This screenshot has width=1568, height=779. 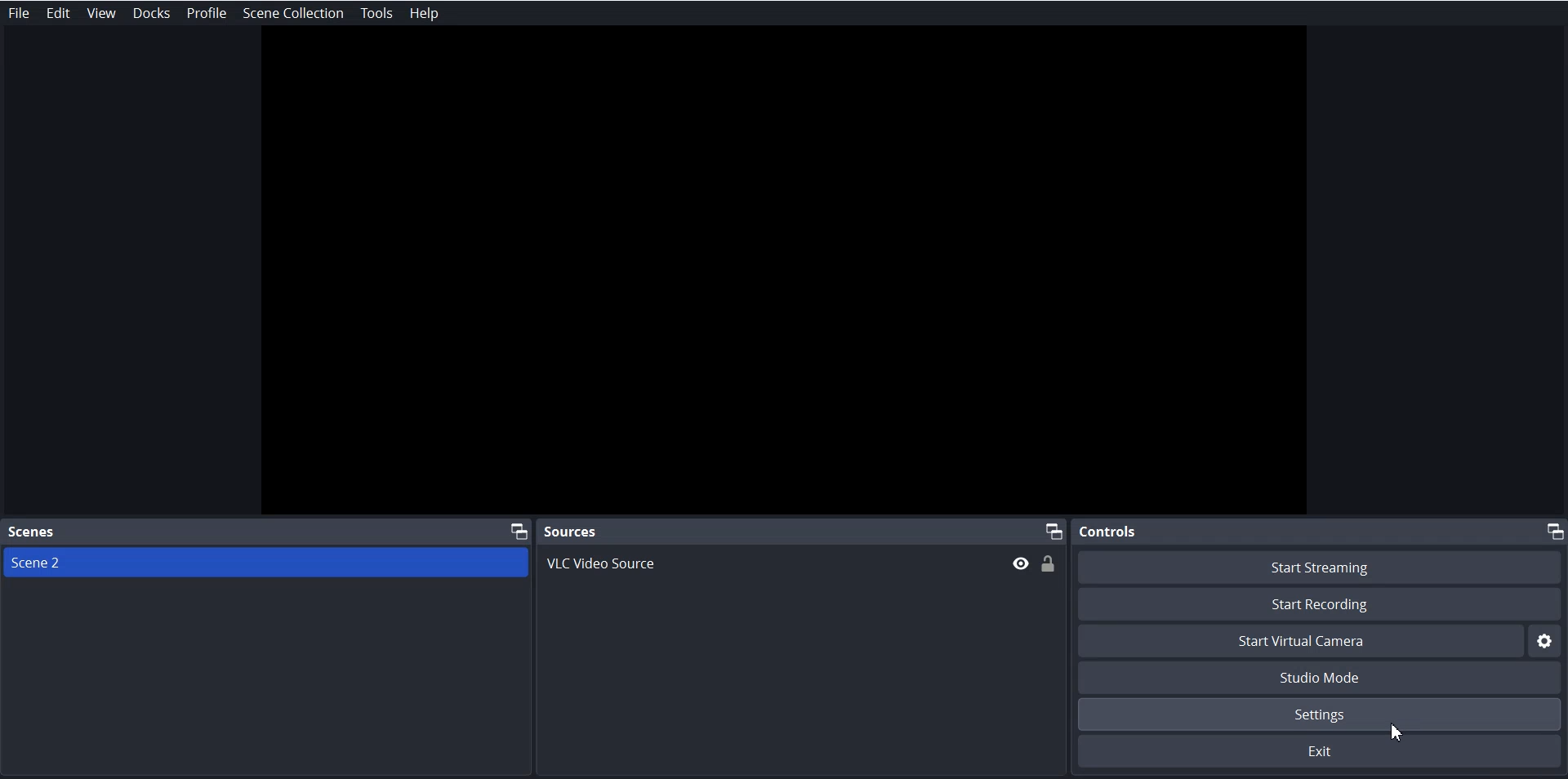 What do you see at coordinates (21, 12) in the screenshot?
I see `File` at bounding box center [21, 12].